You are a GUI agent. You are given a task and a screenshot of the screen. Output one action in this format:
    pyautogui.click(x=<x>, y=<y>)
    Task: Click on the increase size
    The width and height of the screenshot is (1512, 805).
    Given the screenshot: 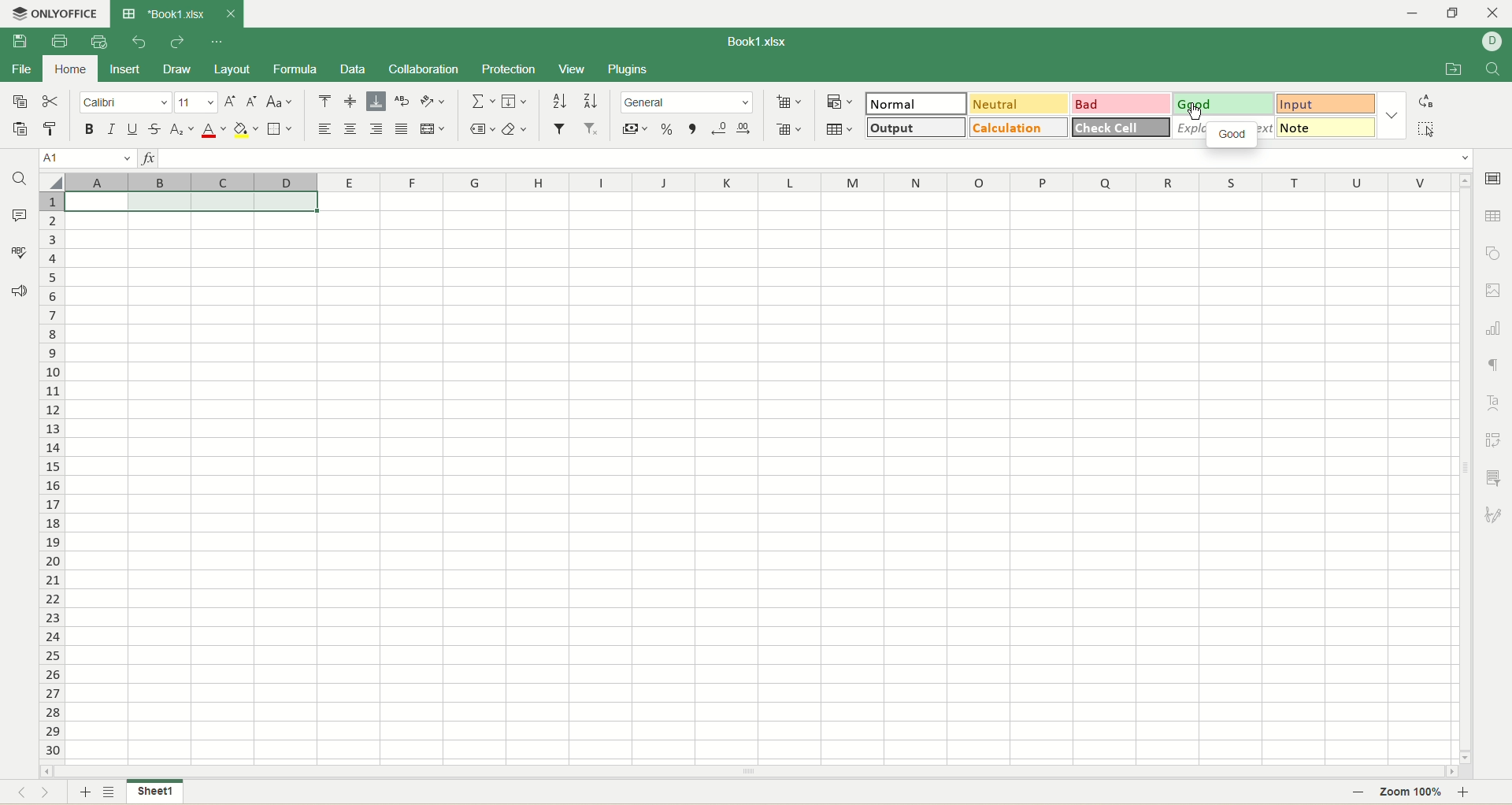 What is the action you would take?
    pyautogui.click(x=232, y=102)
    